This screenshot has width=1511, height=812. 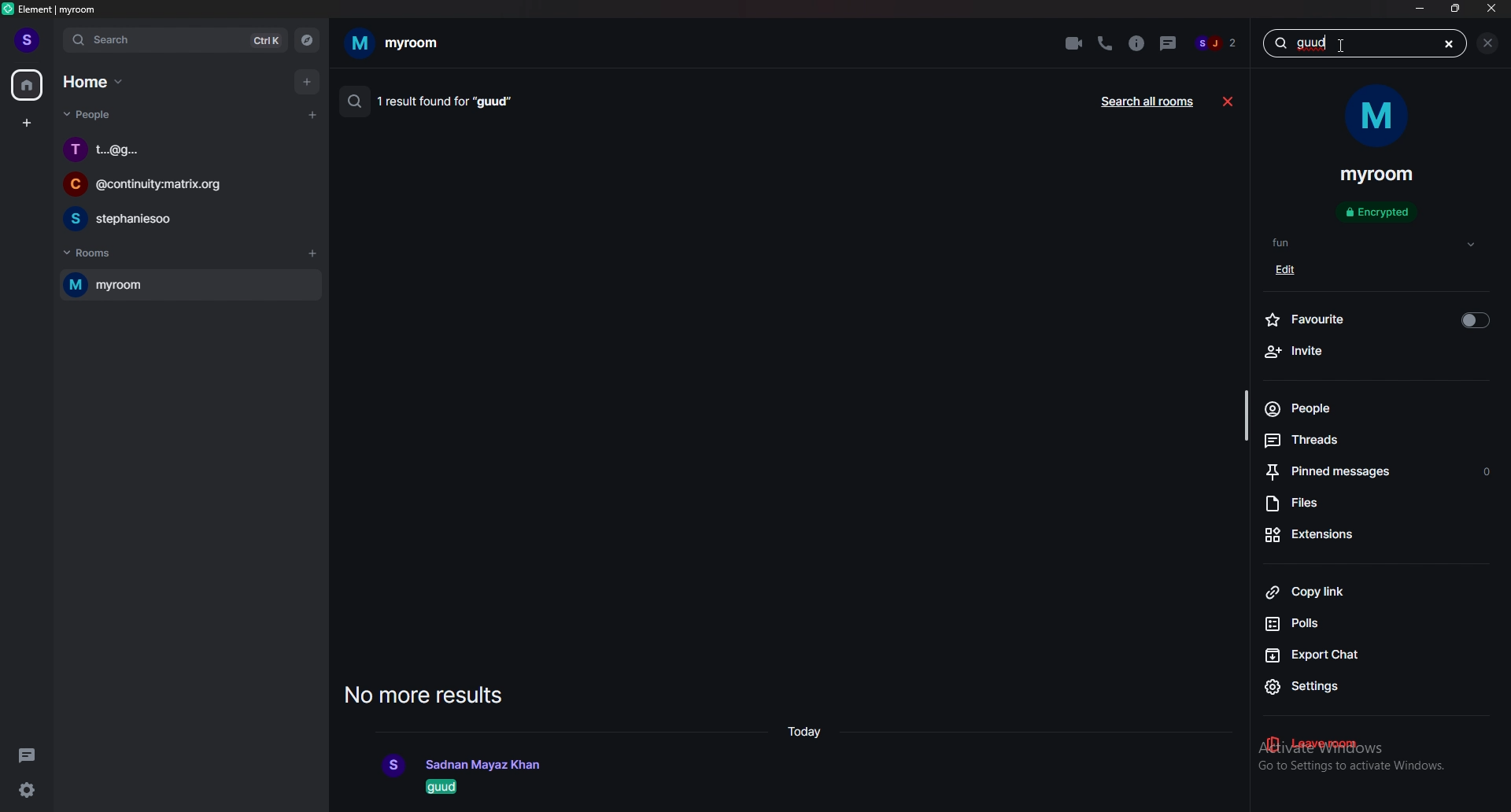 I want to click on minimize, so click(x=1419, y=8).